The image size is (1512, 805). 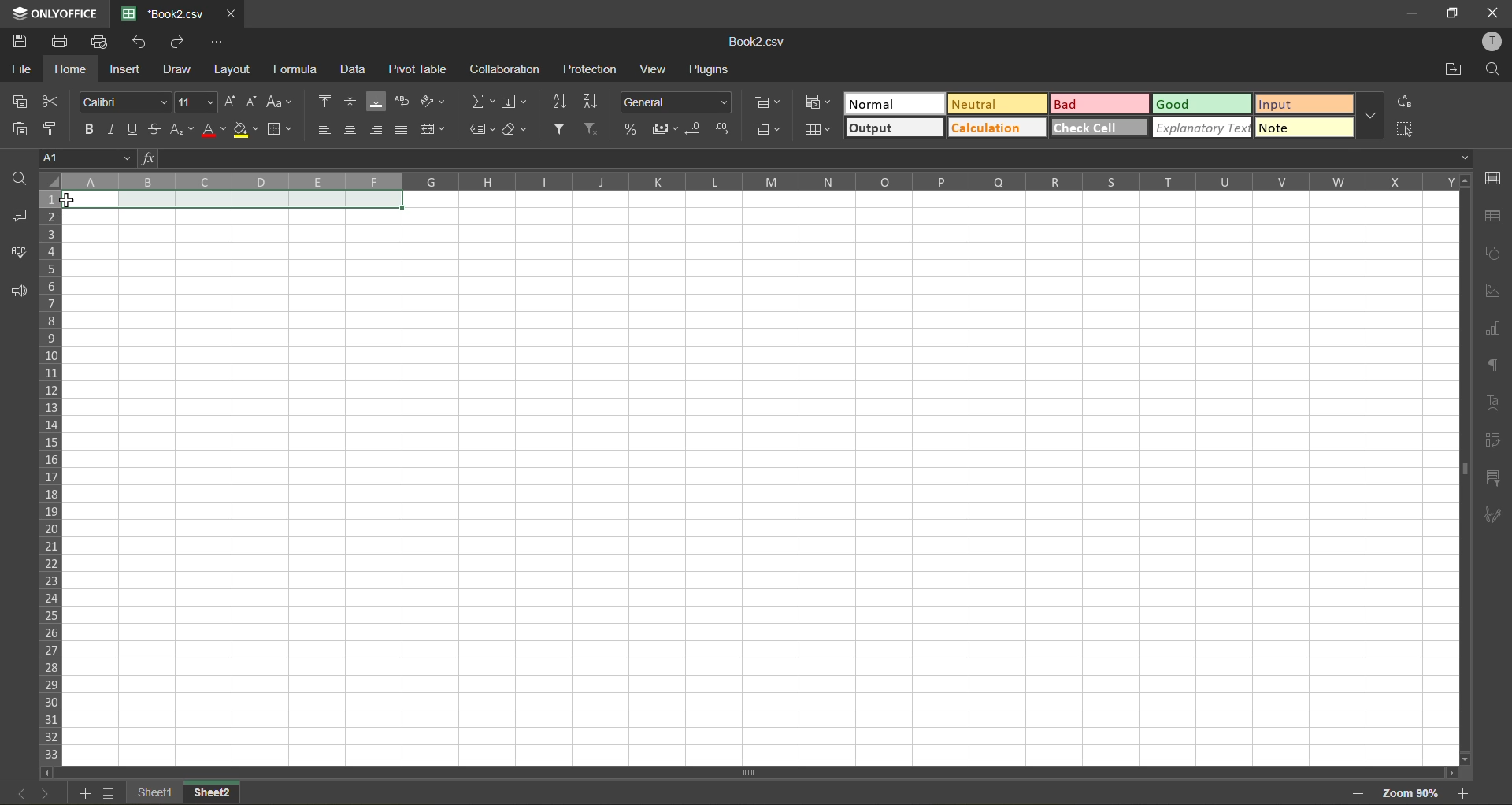 I want to click on add sheet, so click(x=86, y=794).